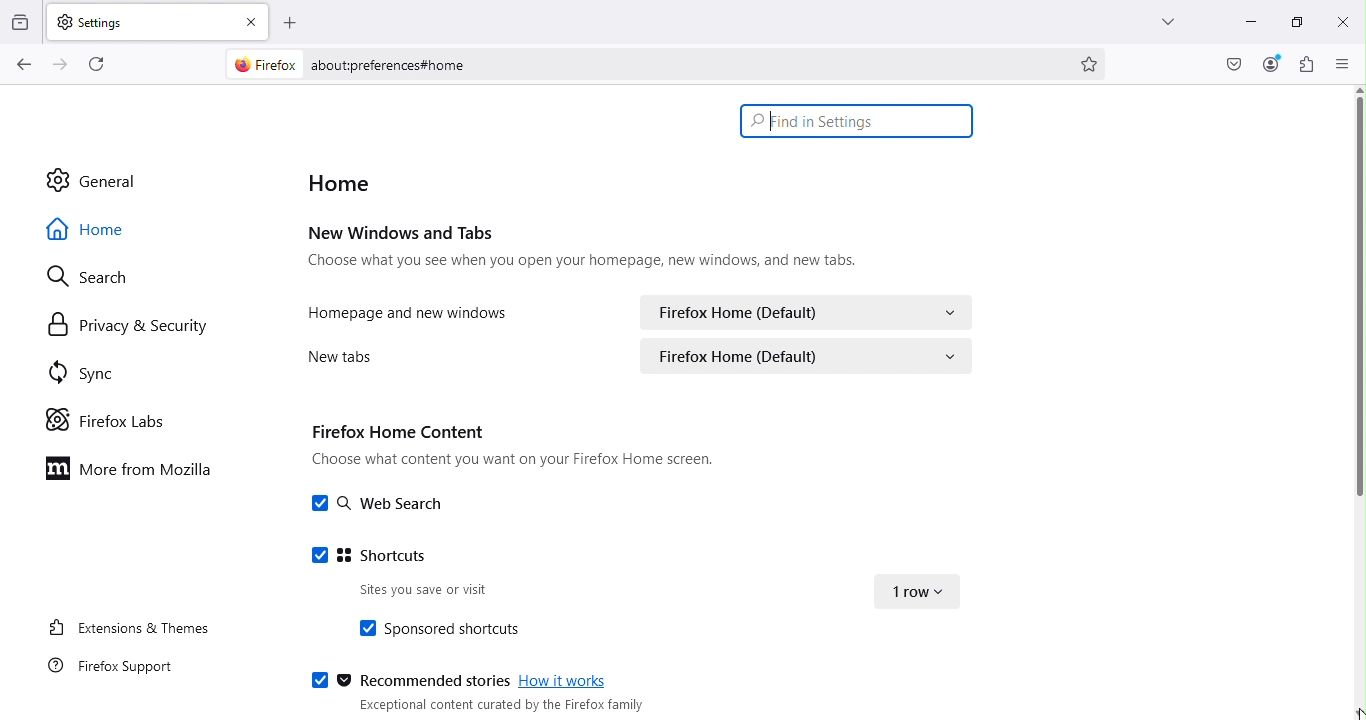  I want to click on Search, so click(84, 275).